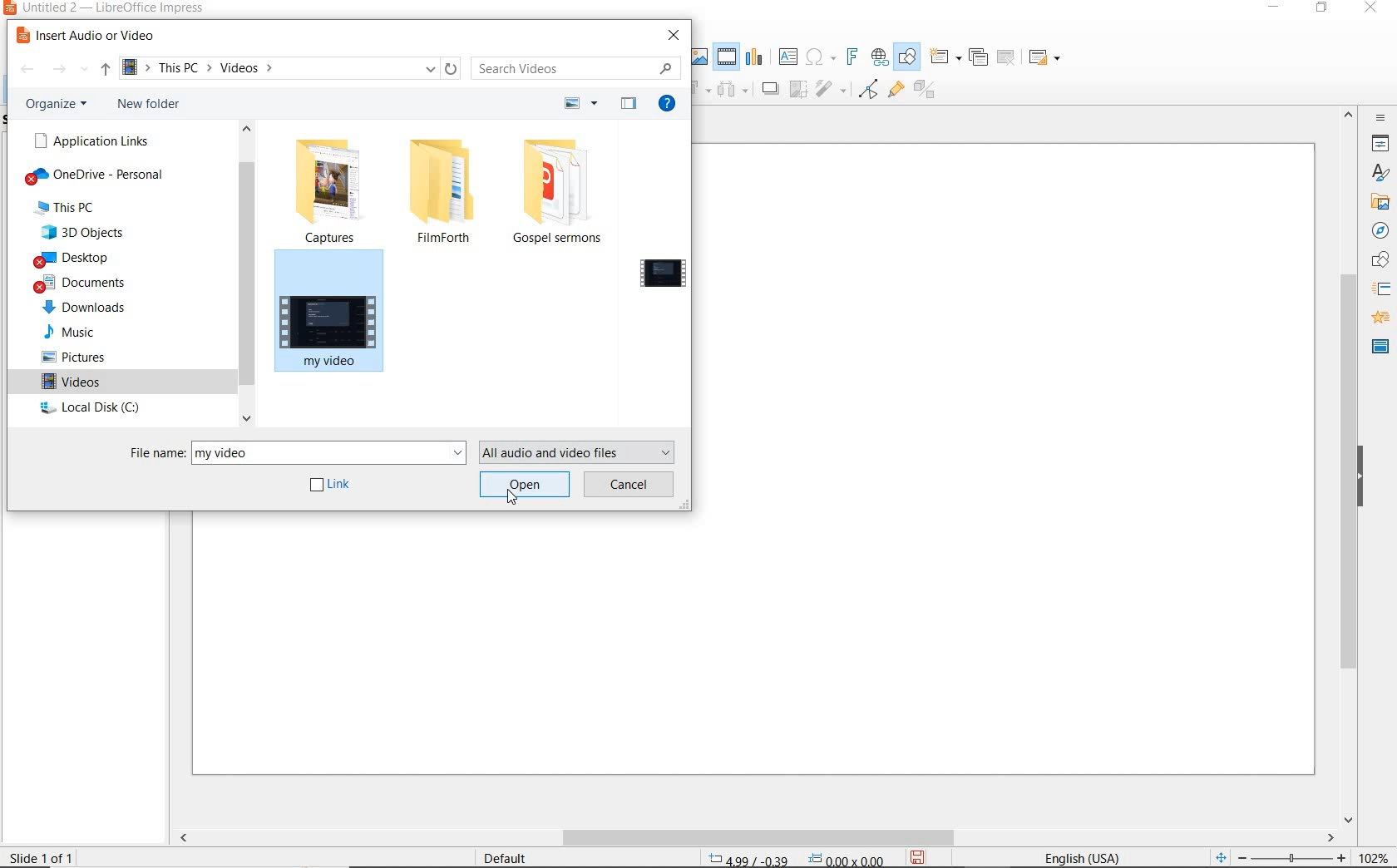 The width and height of the screenshot is (1397, 868). I want to click on cancel, so click(631, 486).